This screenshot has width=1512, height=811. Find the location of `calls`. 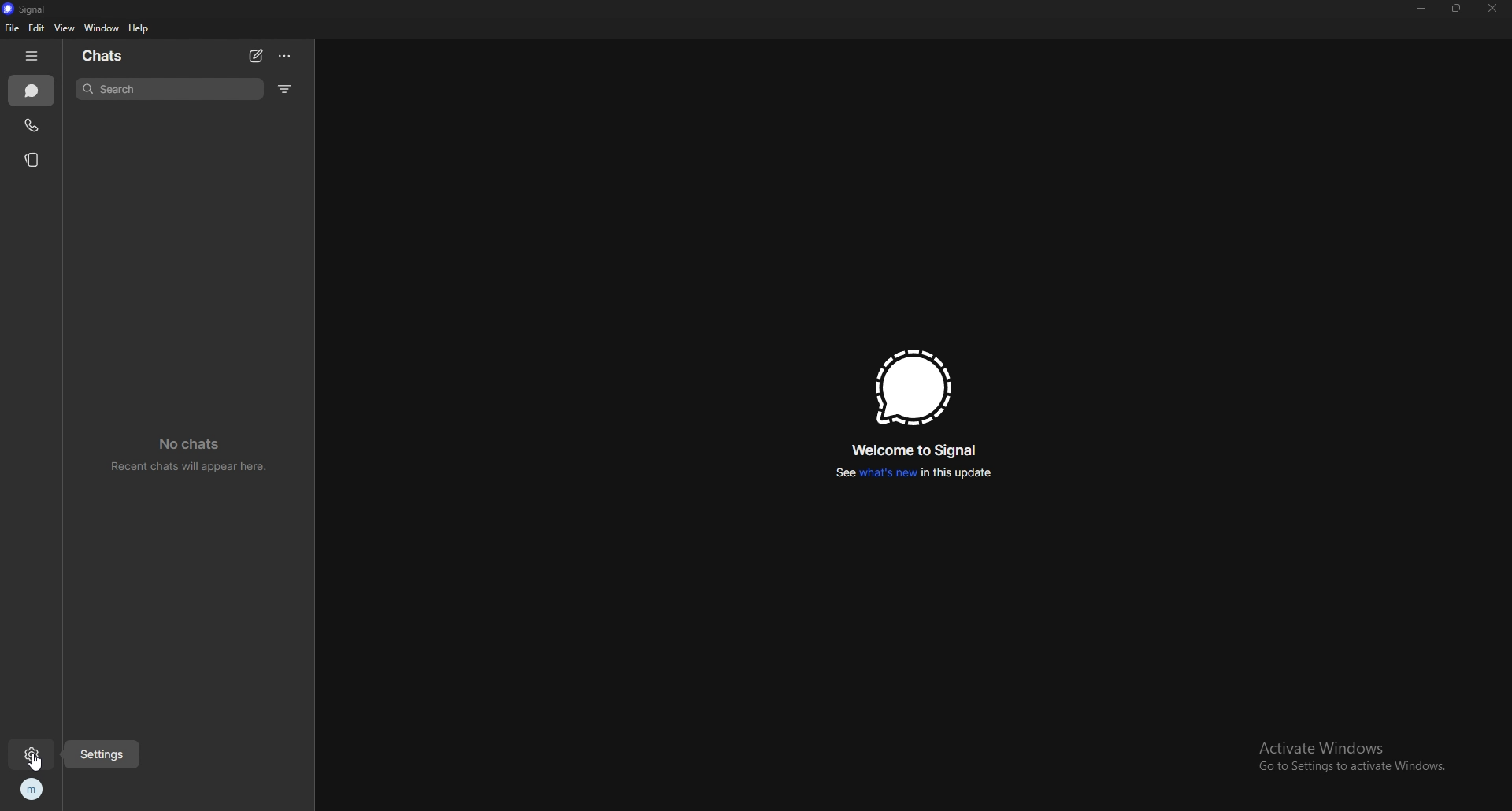

calls is located at coordinates (33, 125).